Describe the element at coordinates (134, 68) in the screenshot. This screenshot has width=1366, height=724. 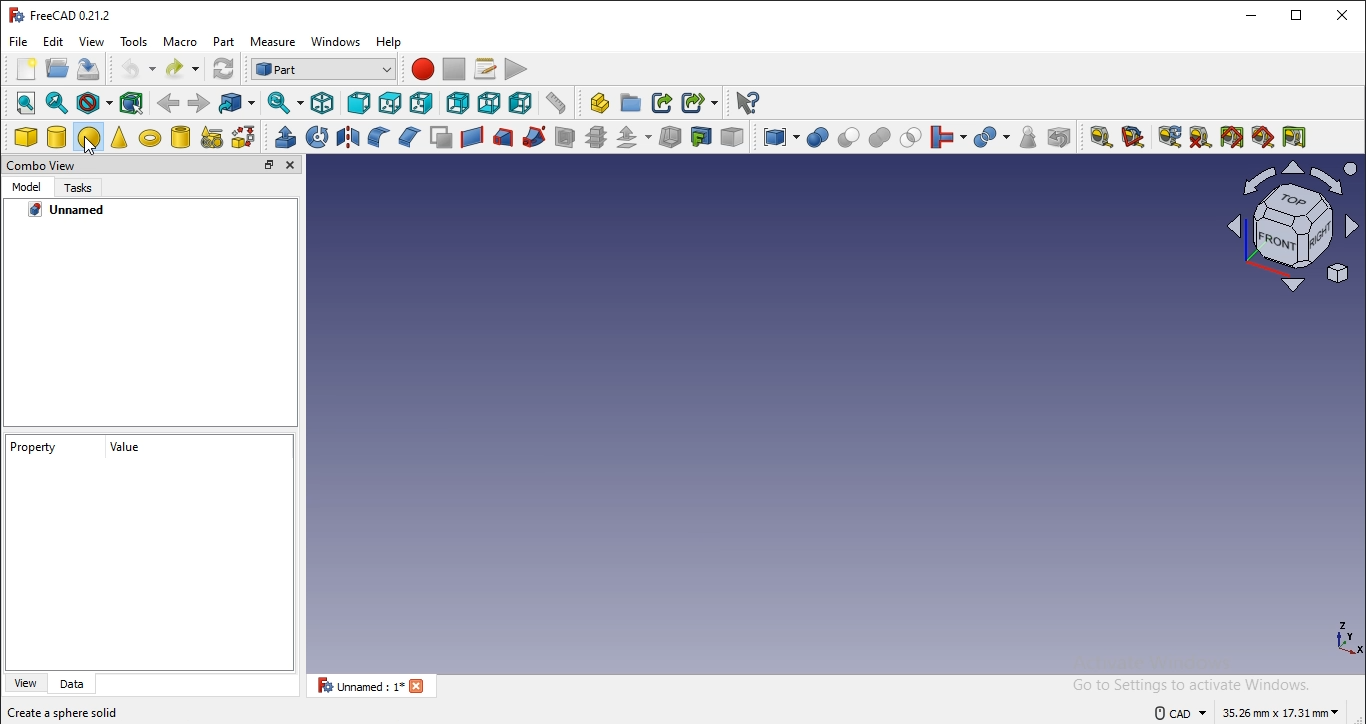
I see `undo` at that location.